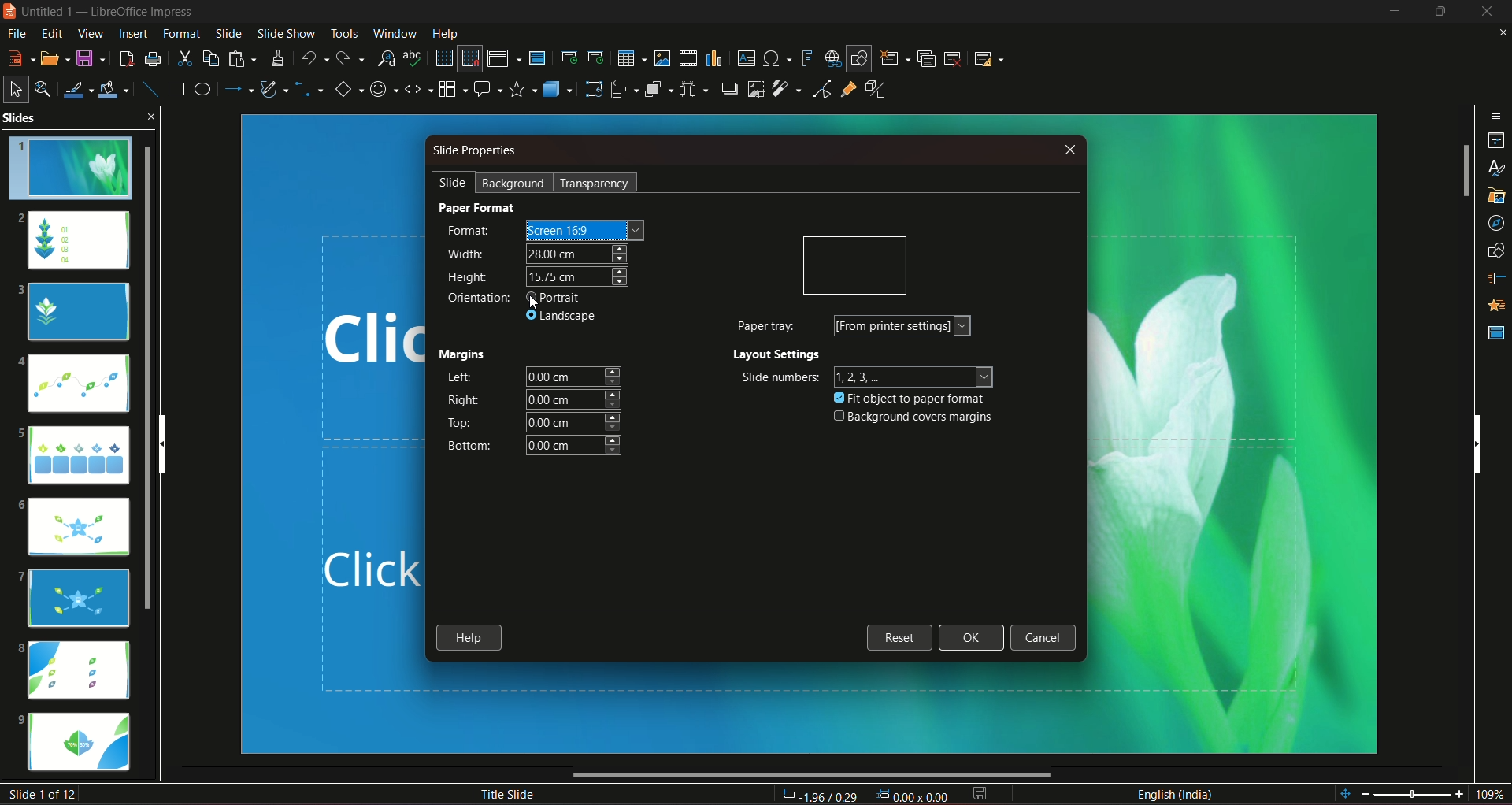  I want to click on background covers margins, so click(910, 417).